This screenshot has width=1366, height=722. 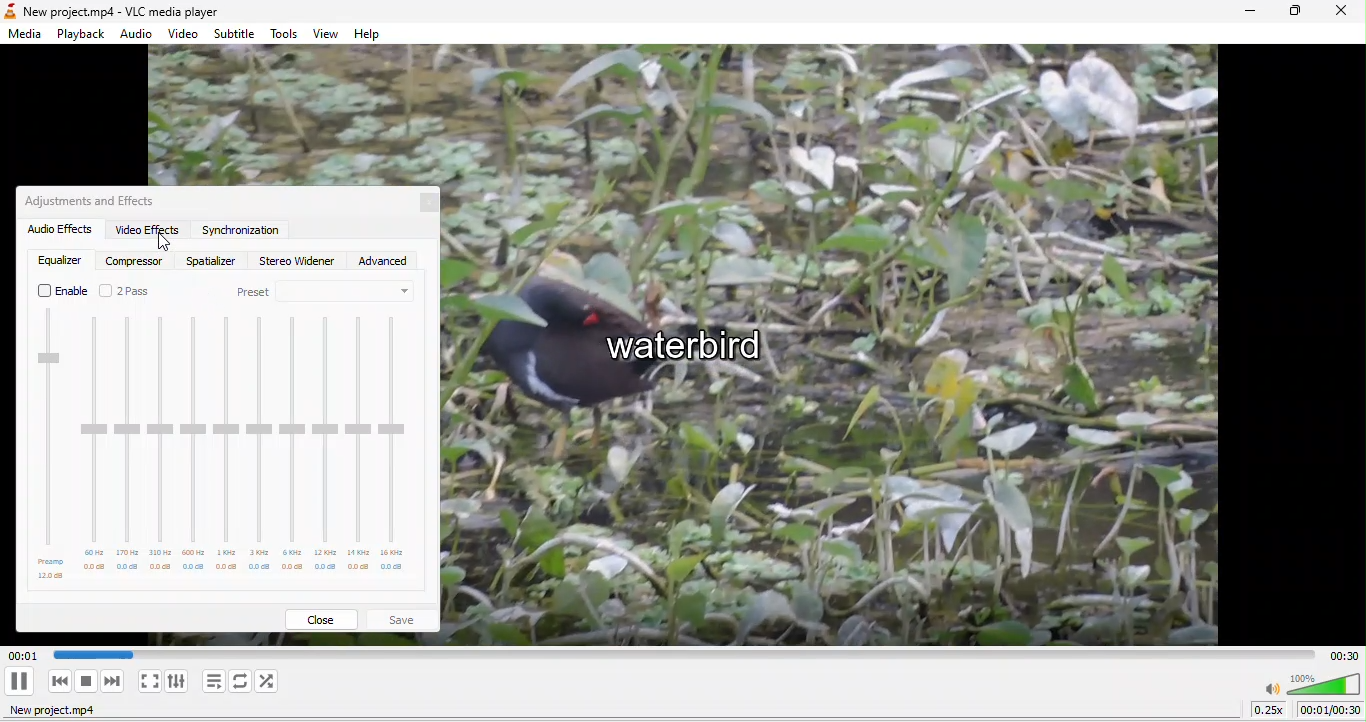 I want to click on 00.01, so click(x=21, y=655).